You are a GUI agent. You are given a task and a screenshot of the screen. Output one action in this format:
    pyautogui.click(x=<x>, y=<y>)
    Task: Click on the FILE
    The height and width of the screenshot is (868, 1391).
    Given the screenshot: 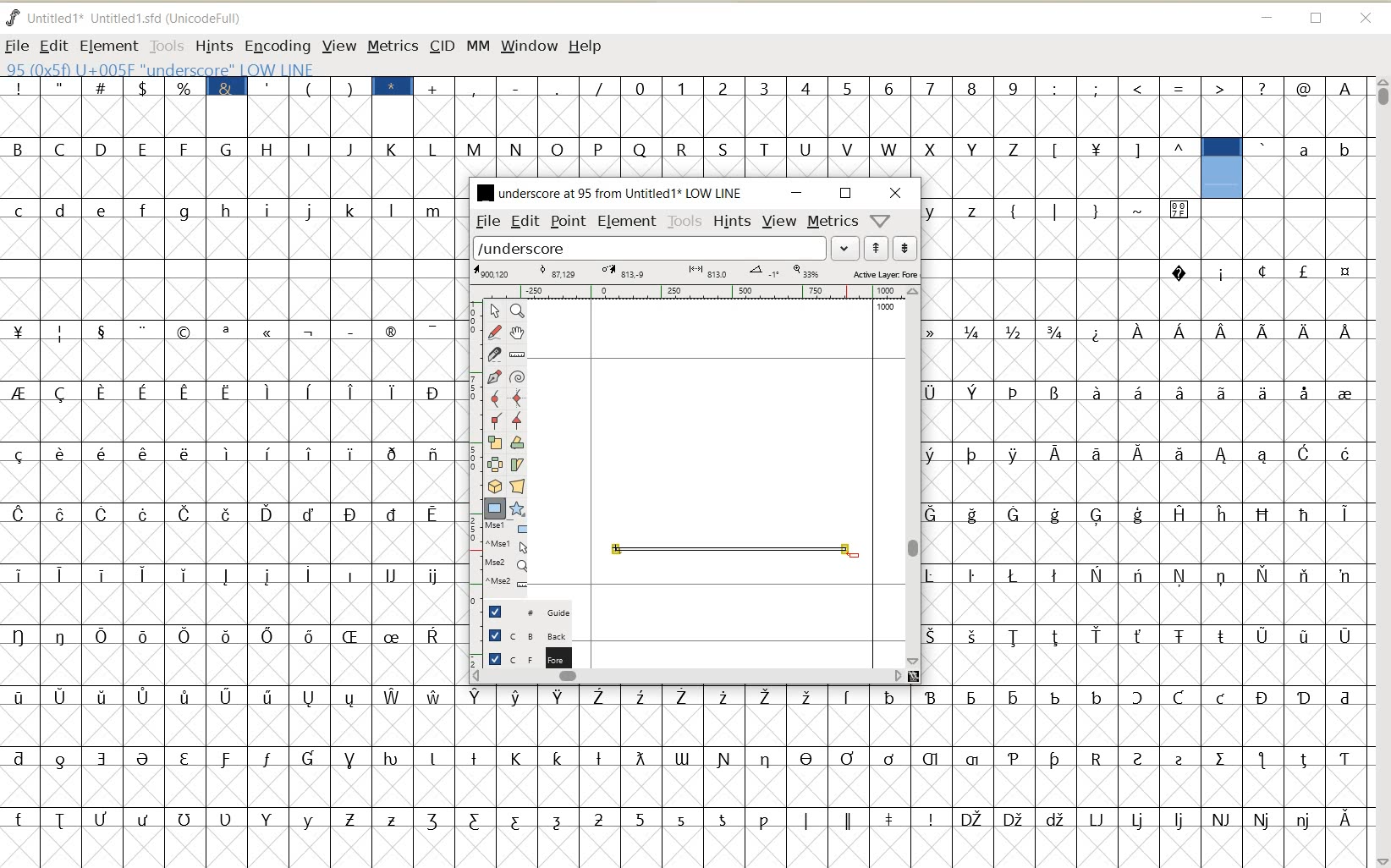 What is the action you would take?
    pyautogui.click(x=487, y=222)
    